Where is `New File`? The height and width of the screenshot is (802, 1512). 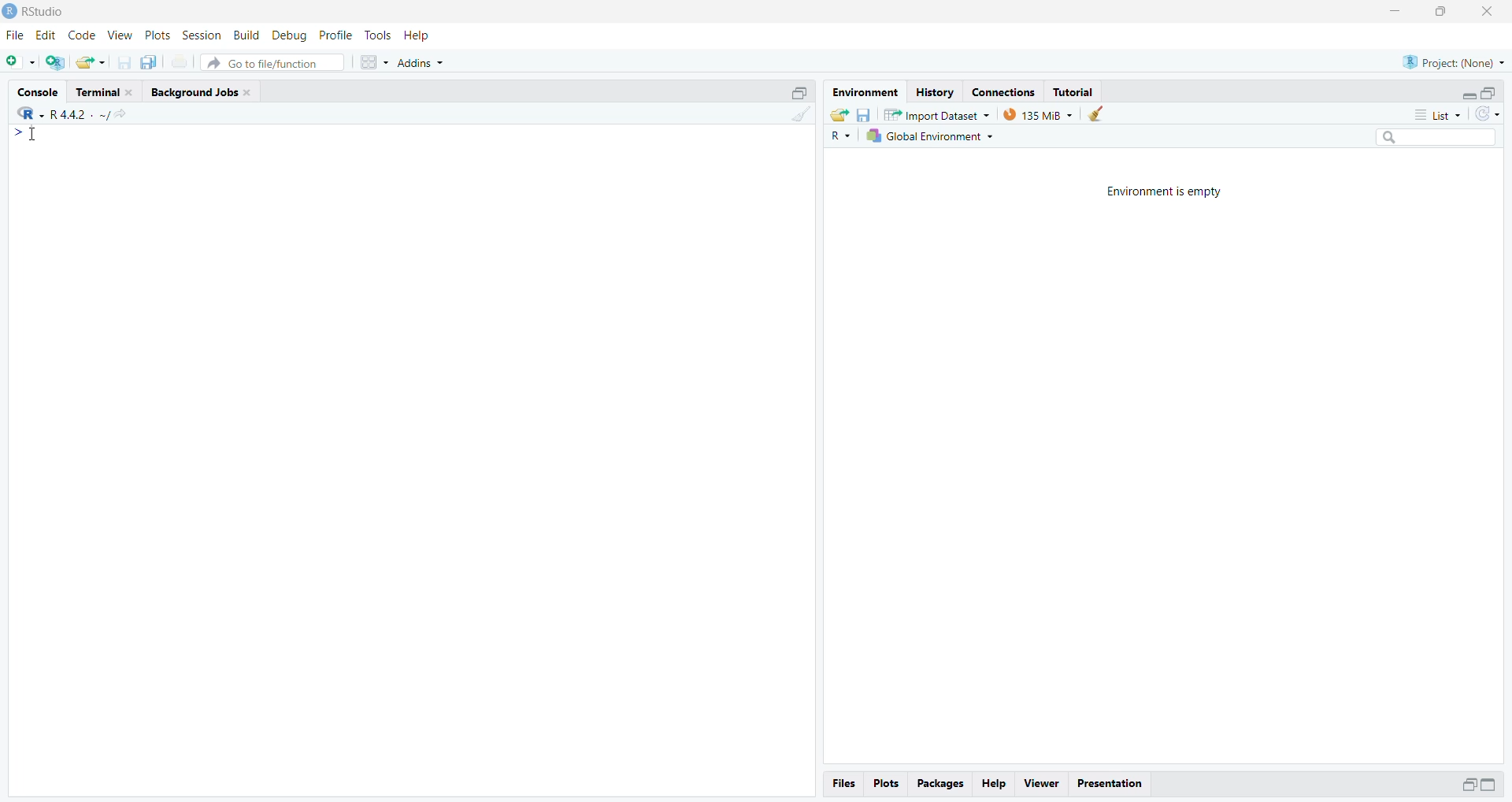
New File is located at coordinates (21, 61).